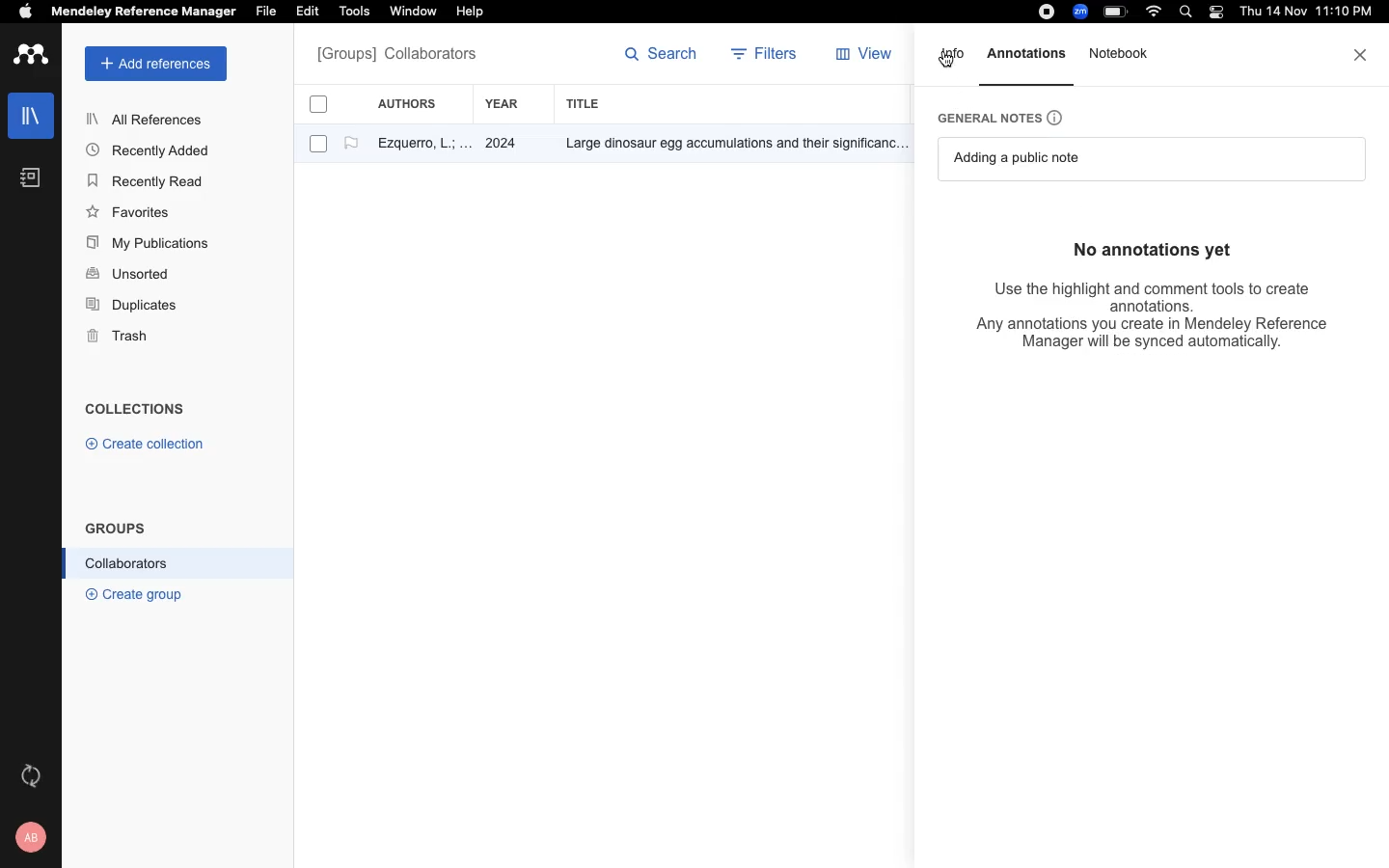 This screenshot has width=1389, height=868. Describe the element at coordinates (133, 306) in the screenshot. I see `Duplicates` at that location.